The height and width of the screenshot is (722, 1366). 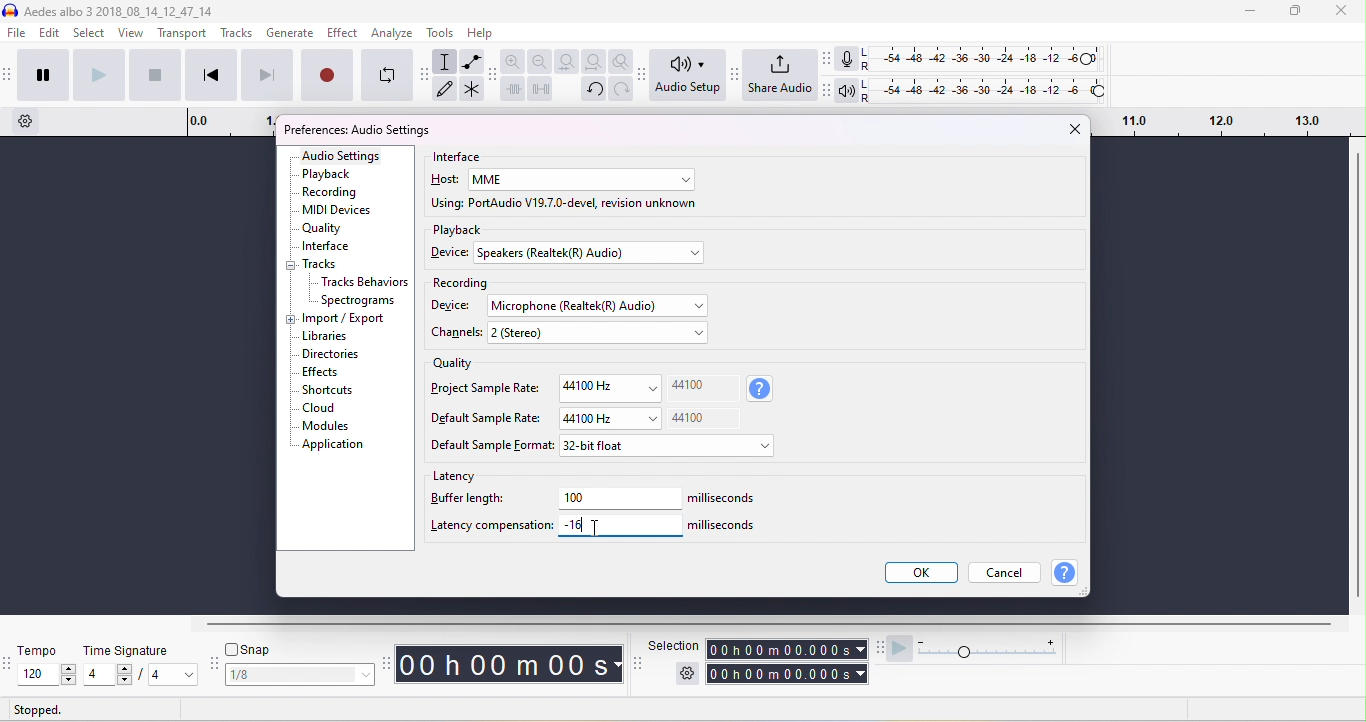 I want to click on audacity tools toolbar, so click(x=427, y=74).